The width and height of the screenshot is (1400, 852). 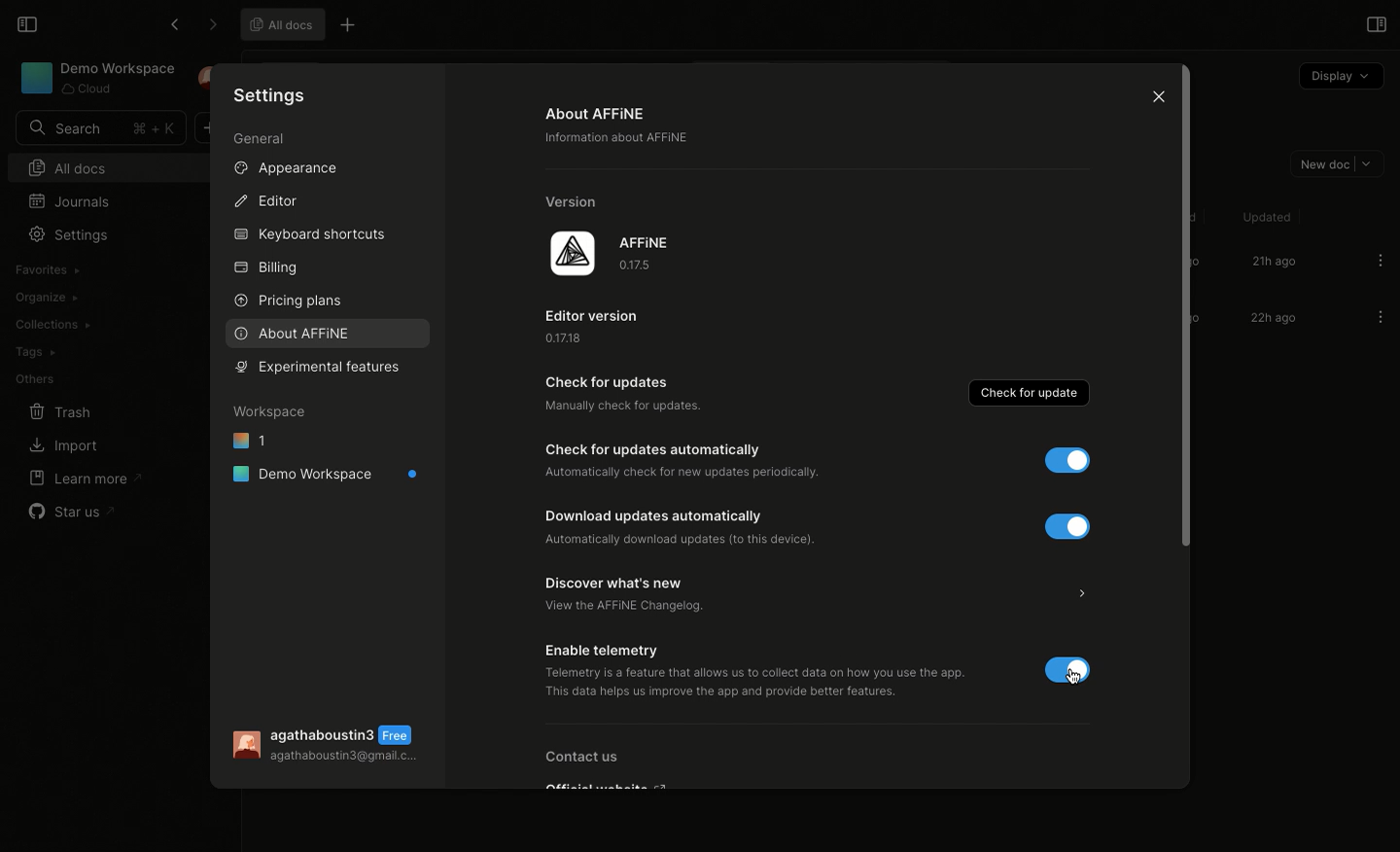 I want to click on disable, so click(x=1078, y=460).